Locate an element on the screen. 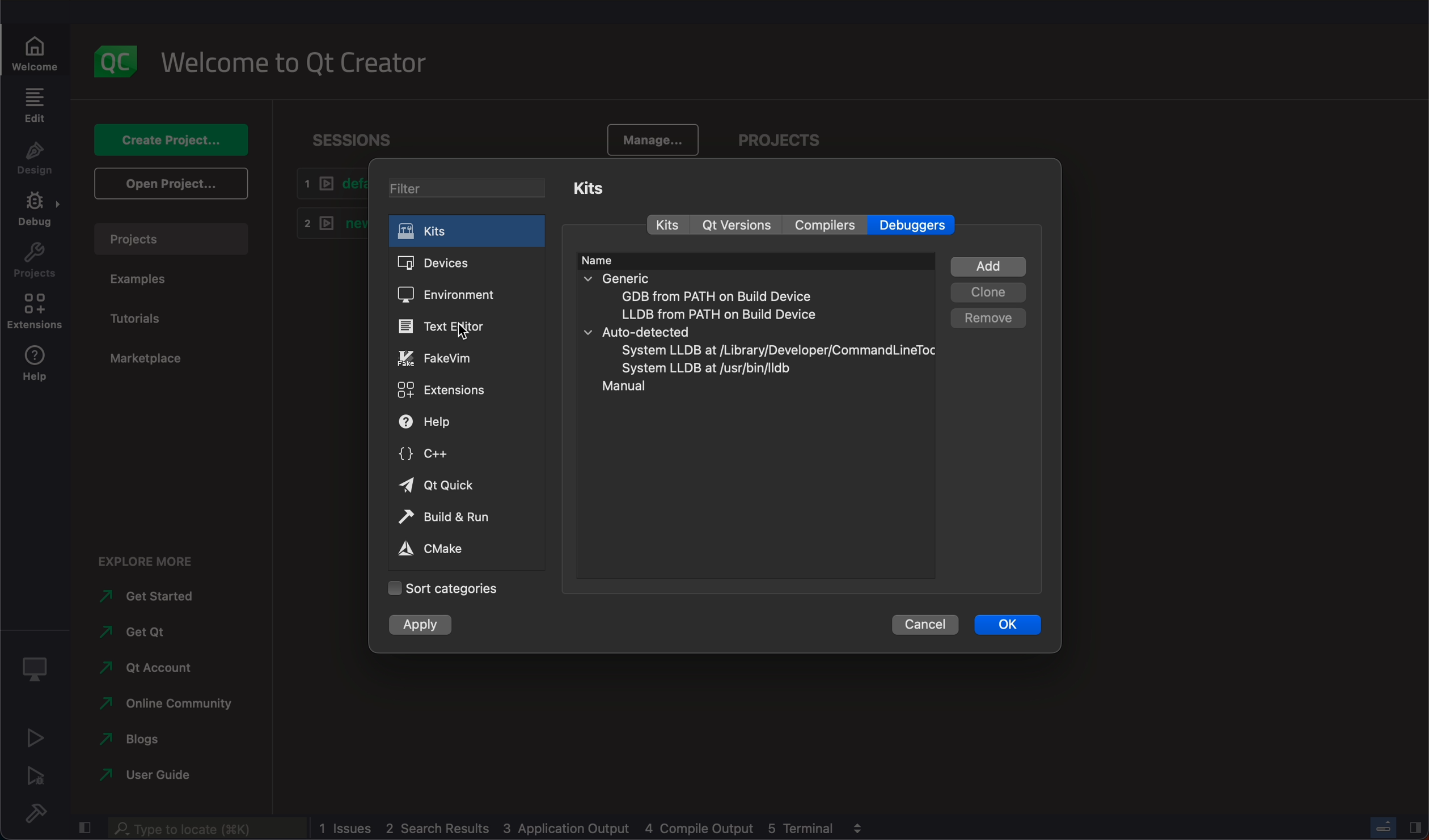  logo is located at coordinates (120, 62).